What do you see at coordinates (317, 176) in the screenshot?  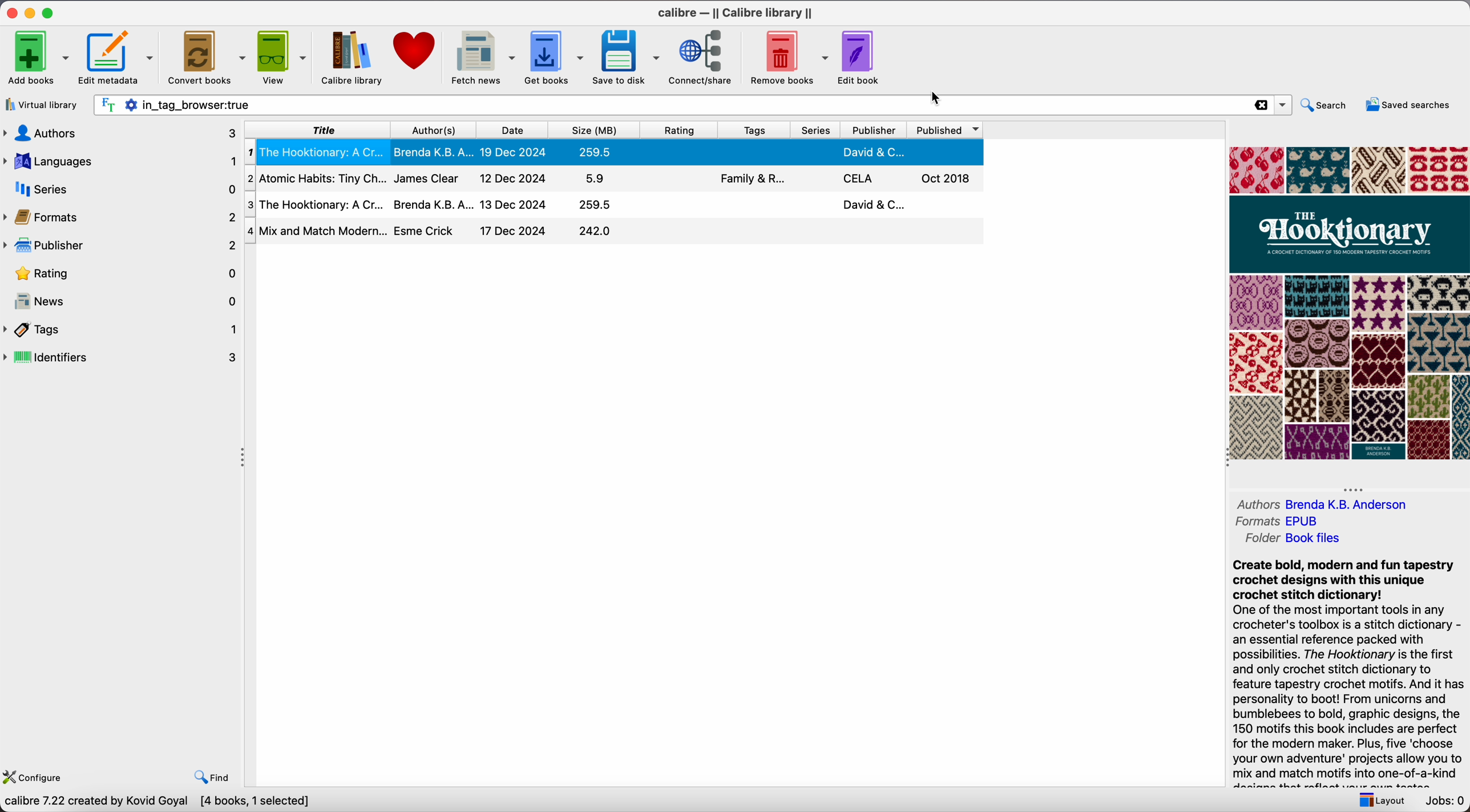 I see `Atomic Habits: Tiny Ch..` at bounding box center [317, 176].